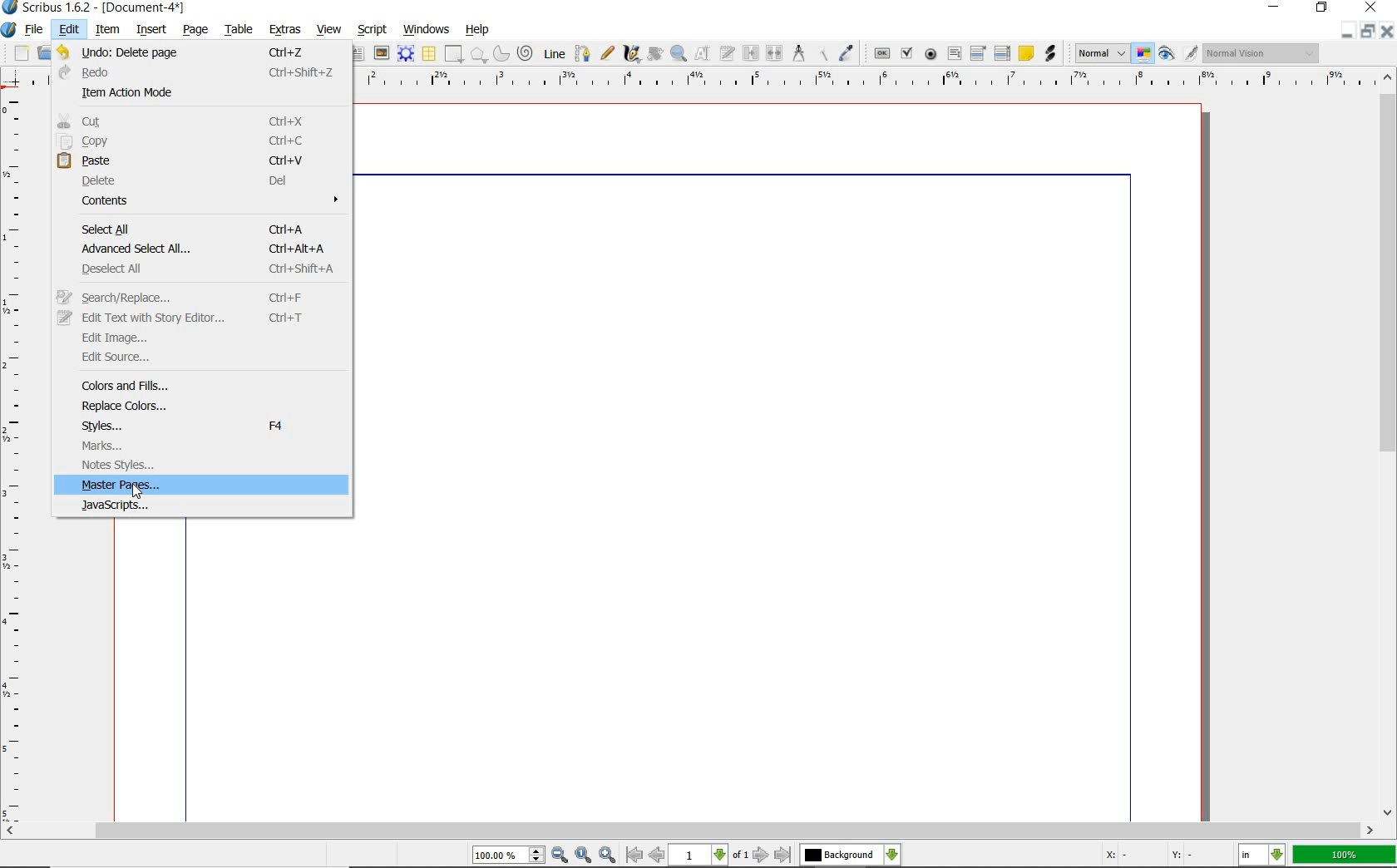 This screenshot has height=868, width=1397. I want to click on Scribus 1.6.2 - [Document-4*], so click(95, 8).